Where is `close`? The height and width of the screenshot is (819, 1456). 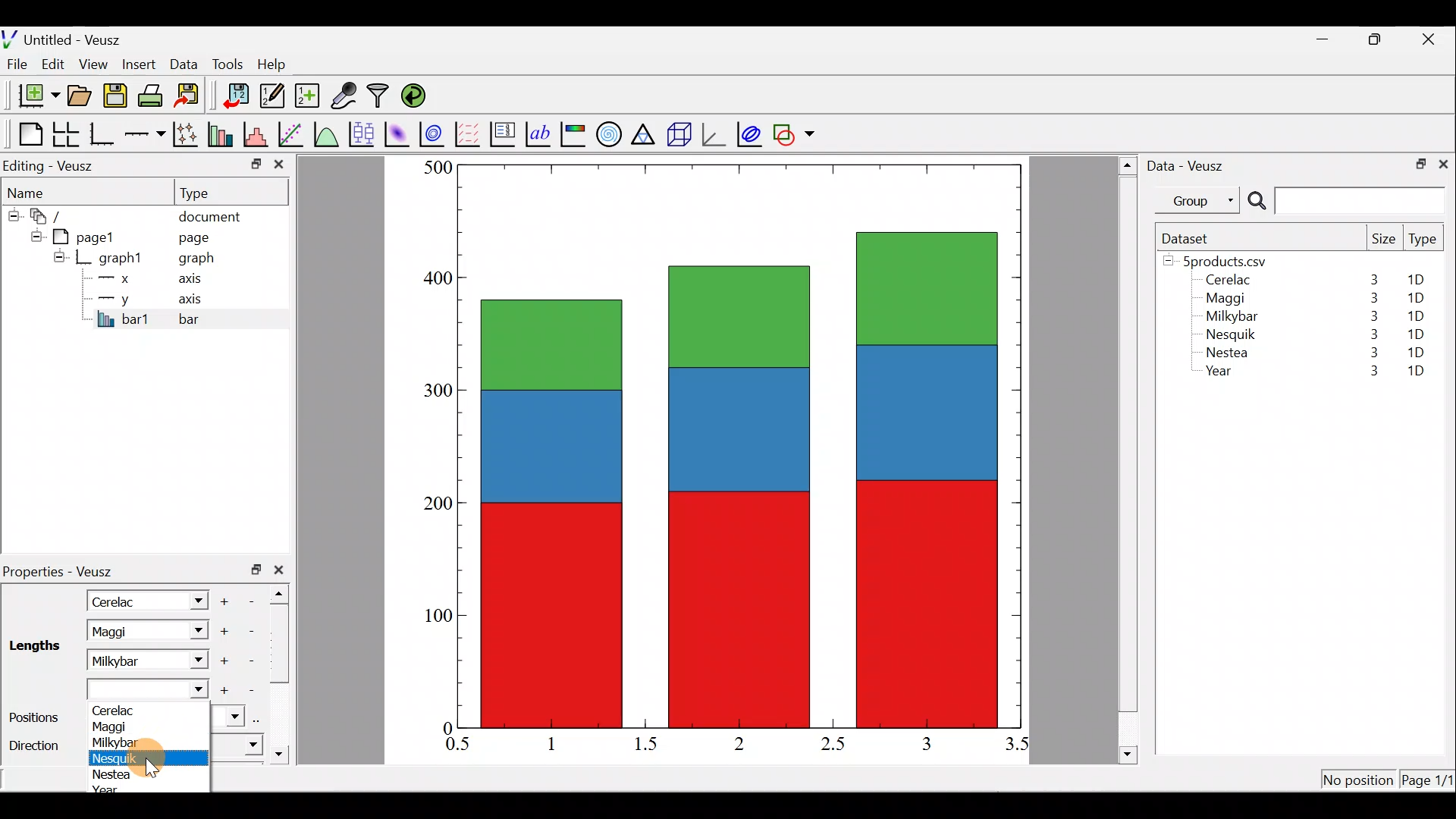 close is located at coordinates (1430, 39).